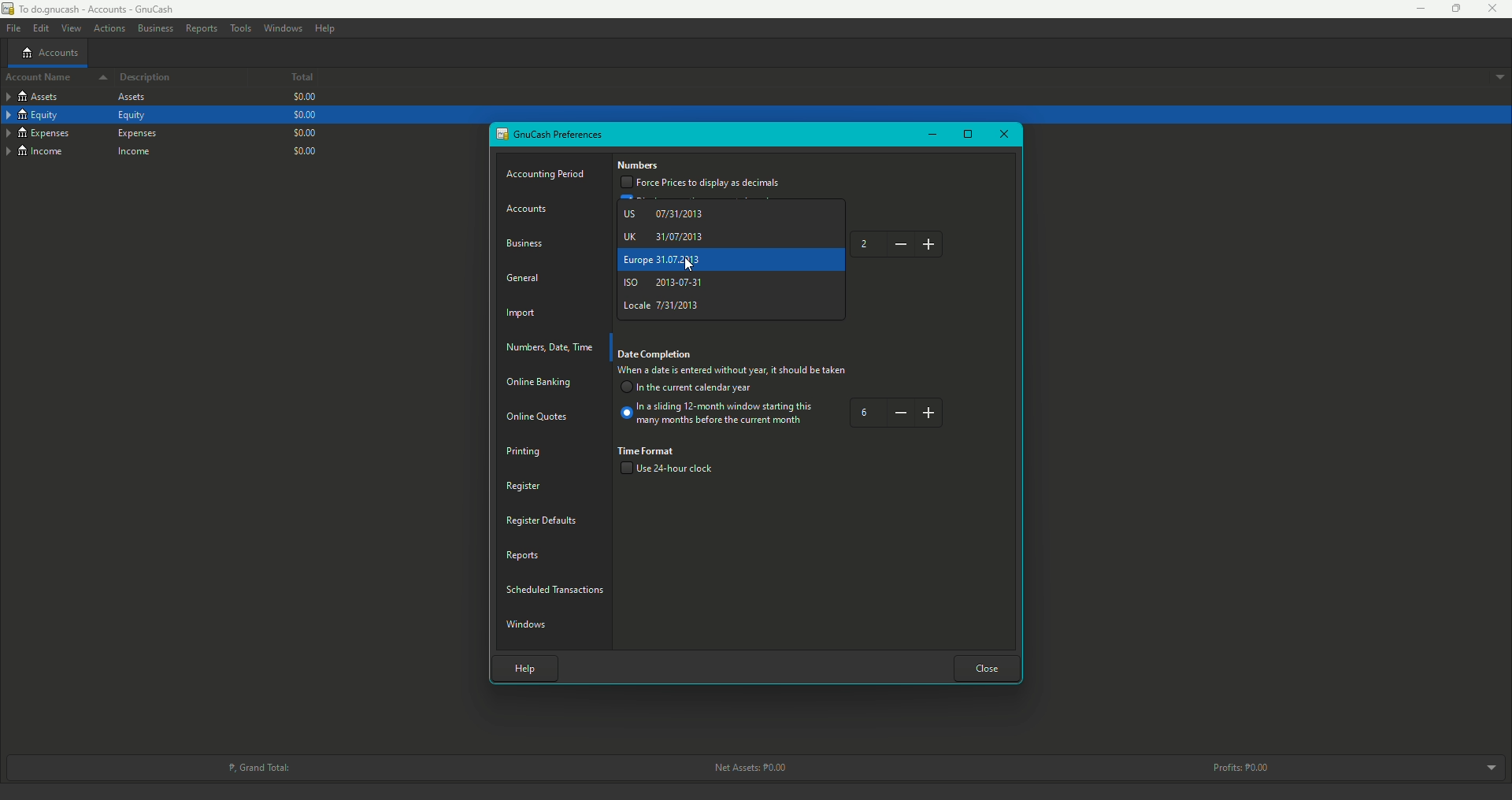  What do you see at coordinates (283, 28) in the screenshot?
I see `Windows` at bounding box center [283, 28].